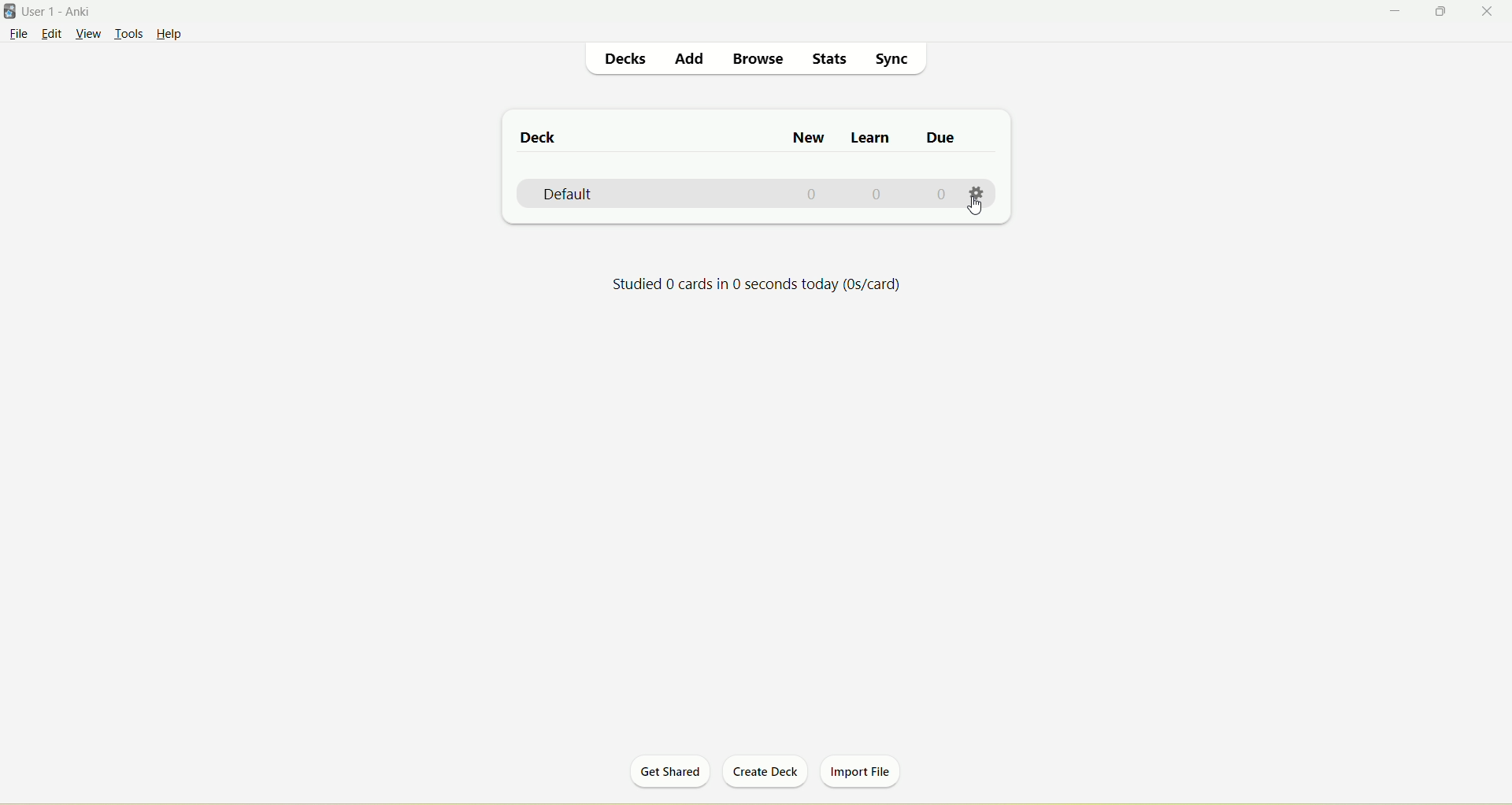  What do you see at coordinates (831, 58) in the screenshot?
I see `stats` at bounding box center [831, 58].